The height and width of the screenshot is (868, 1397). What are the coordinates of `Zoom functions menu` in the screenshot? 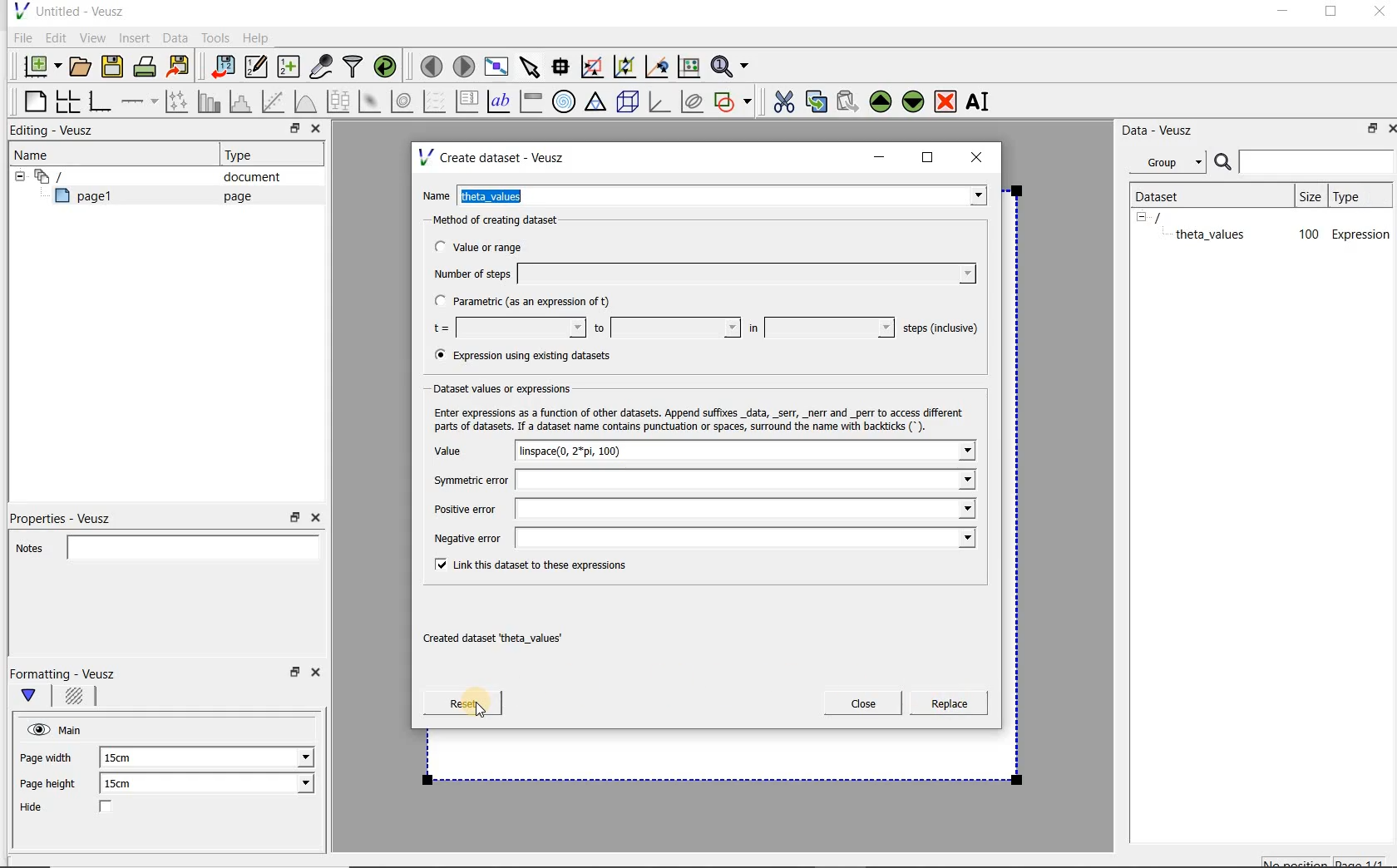 It's located at (731, 62).